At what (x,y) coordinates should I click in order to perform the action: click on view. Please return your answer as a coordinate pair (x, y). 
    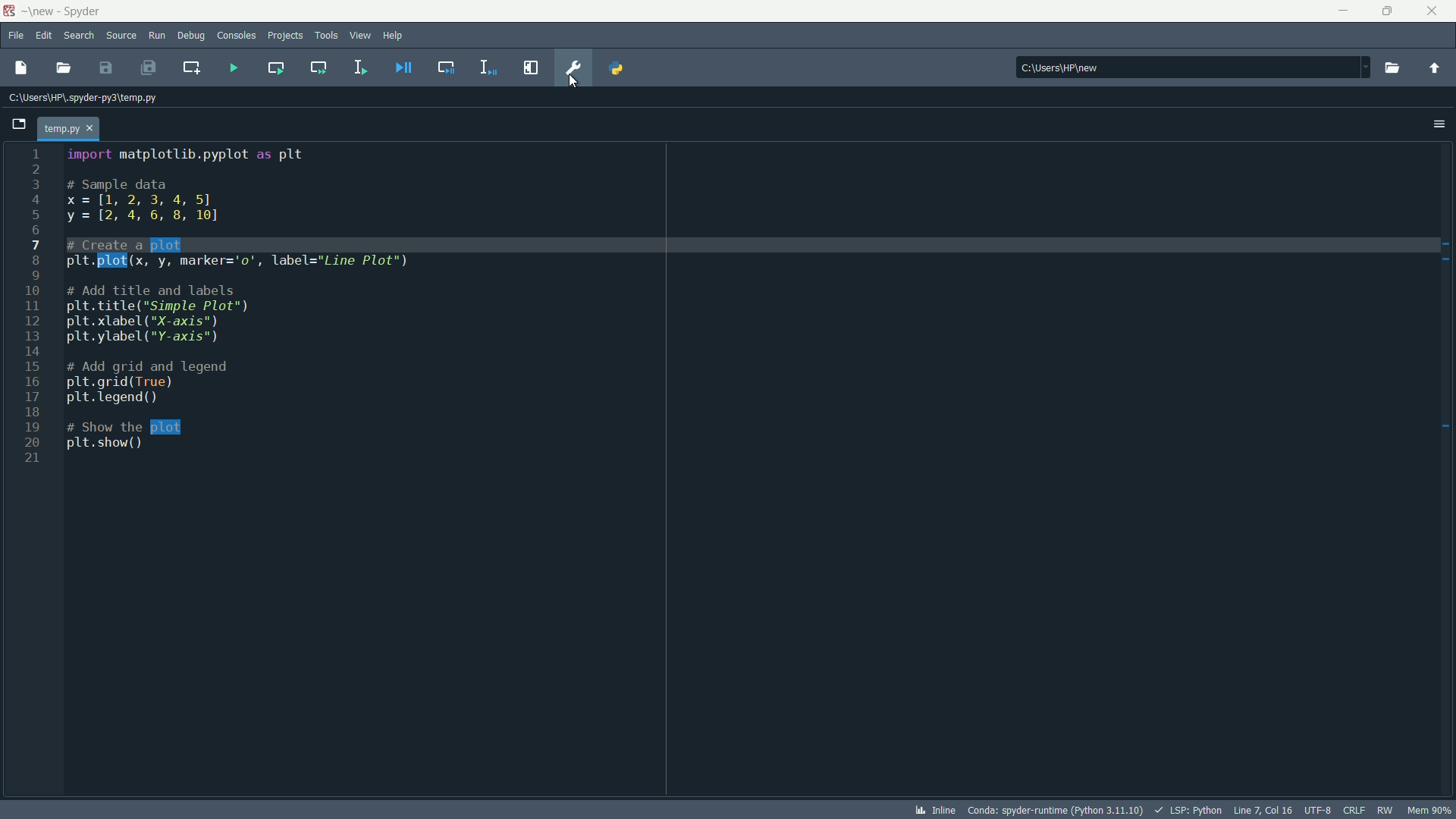
    Looking at the image, I should click on (360, 35).